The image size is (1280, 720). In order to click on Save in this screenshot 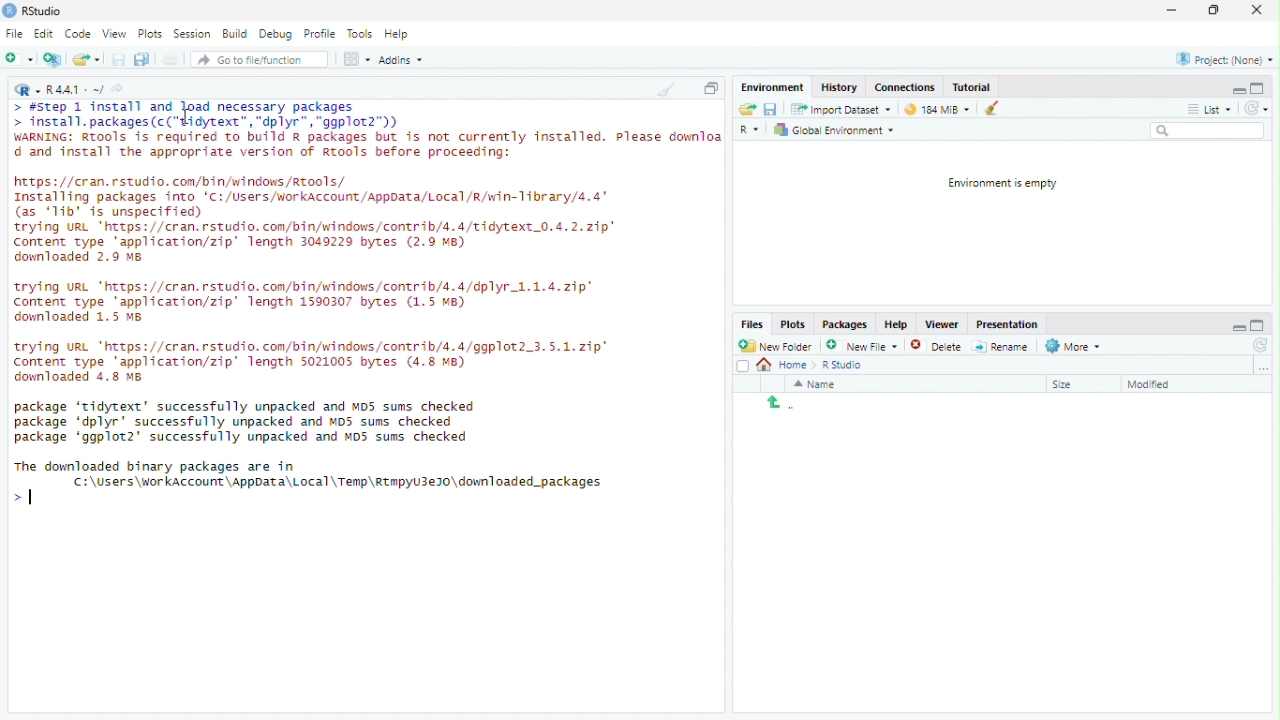, I will do `click(119, 59)`.